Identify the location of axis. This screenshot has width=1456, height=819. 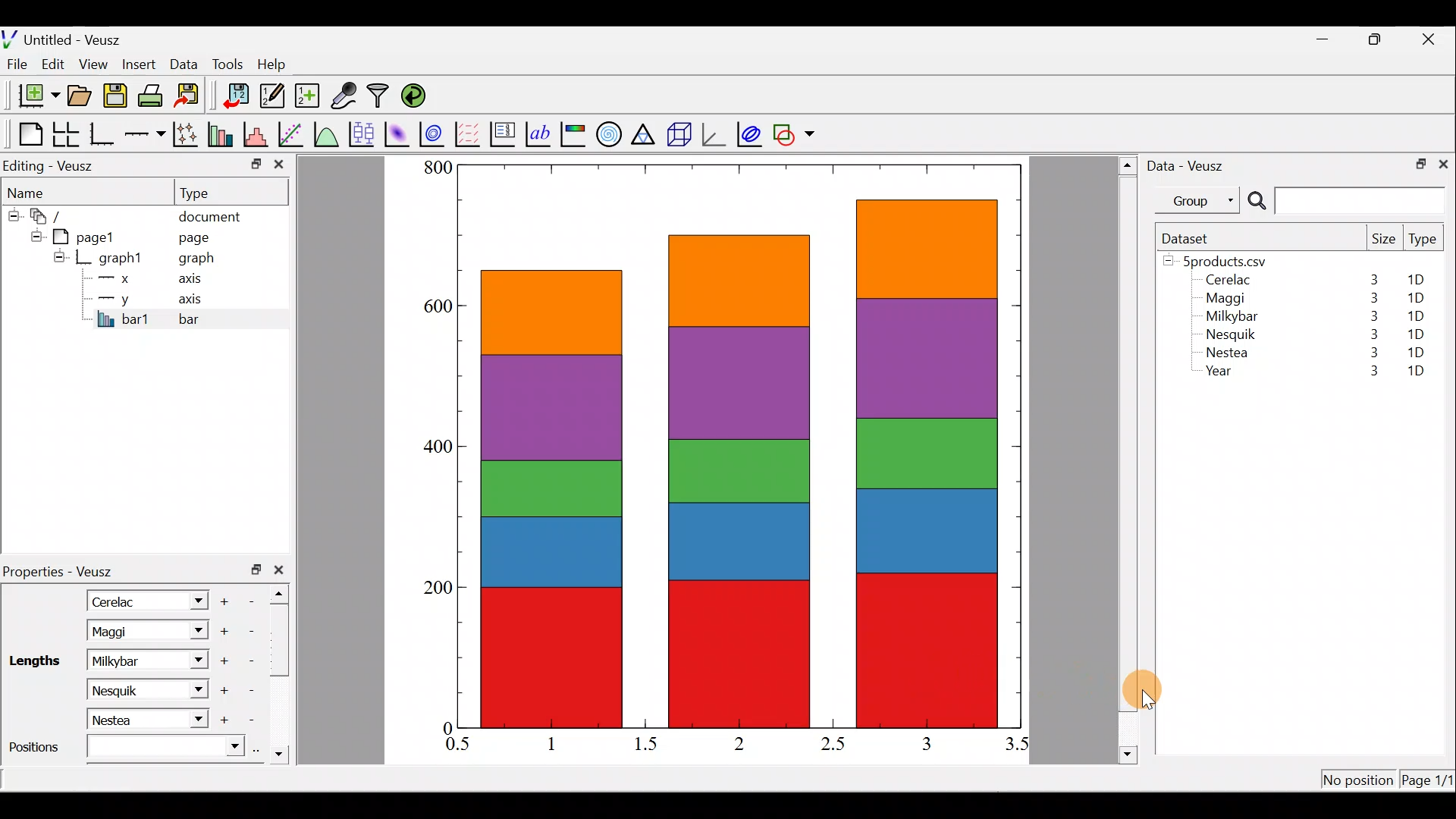
(195, 281).